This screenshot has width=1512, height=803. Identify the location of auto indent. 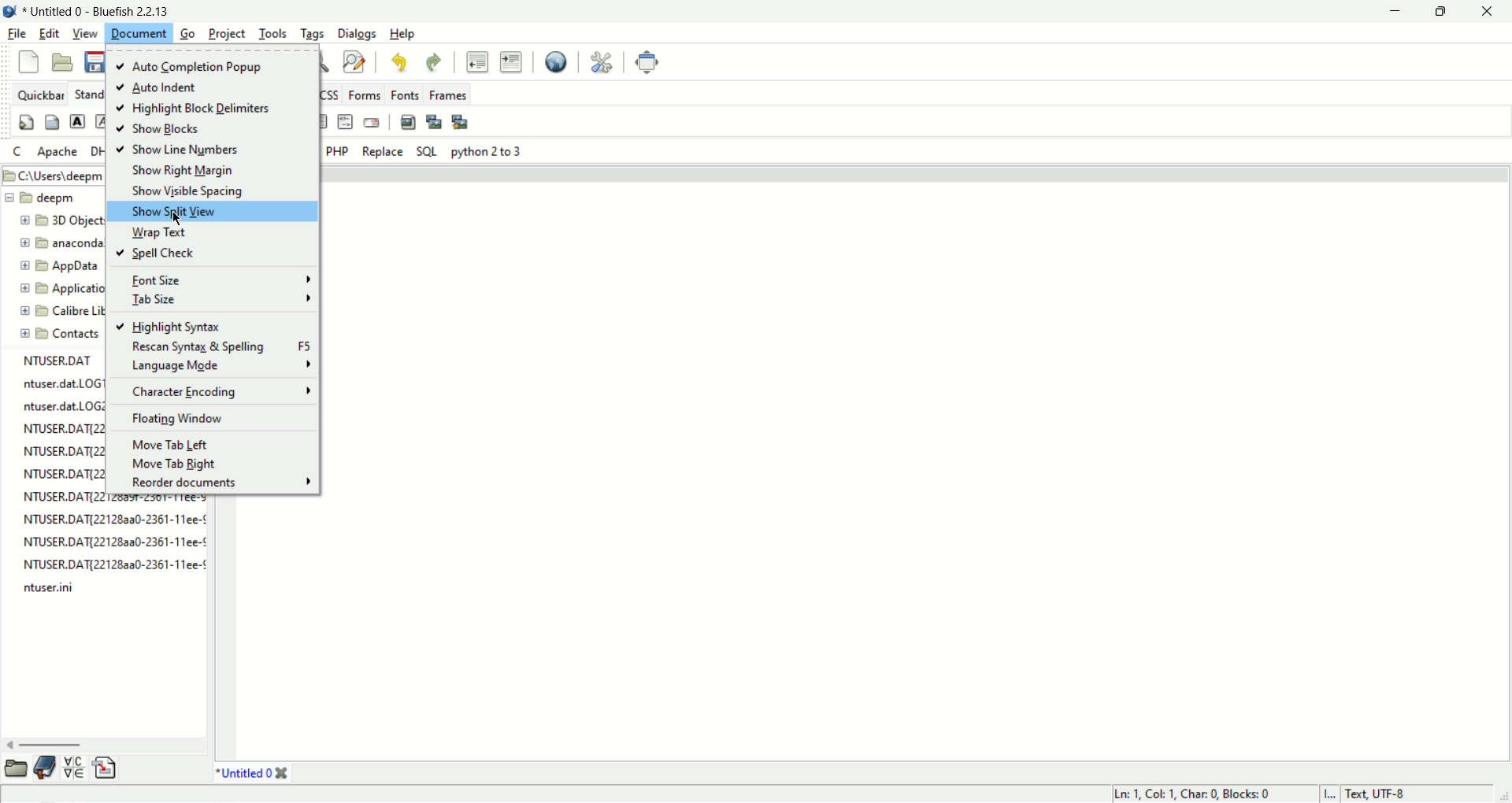
(167, 88).